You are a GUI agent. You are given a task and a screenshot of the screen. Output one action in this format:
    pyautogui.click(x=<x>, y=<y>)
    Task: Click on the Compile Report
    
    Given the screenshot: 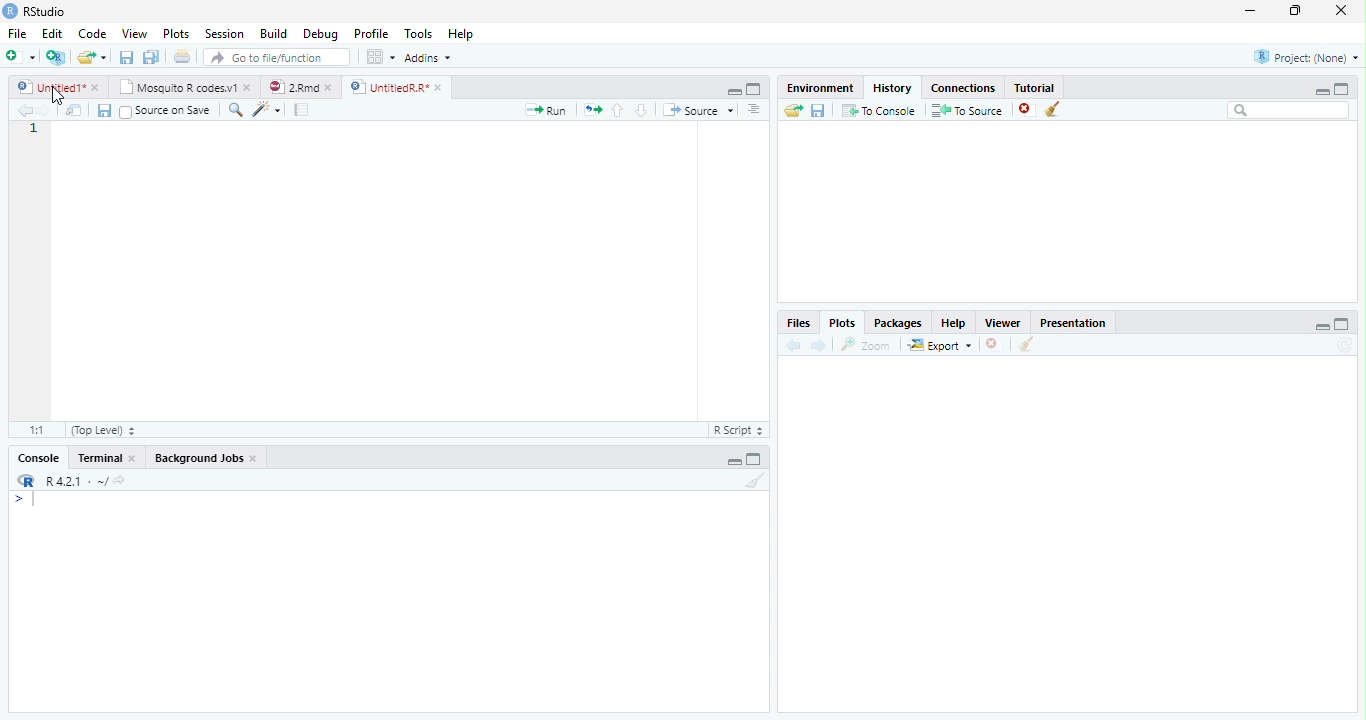 What is the action you would take?
    pyautogui.click(x=301, y=109)
    